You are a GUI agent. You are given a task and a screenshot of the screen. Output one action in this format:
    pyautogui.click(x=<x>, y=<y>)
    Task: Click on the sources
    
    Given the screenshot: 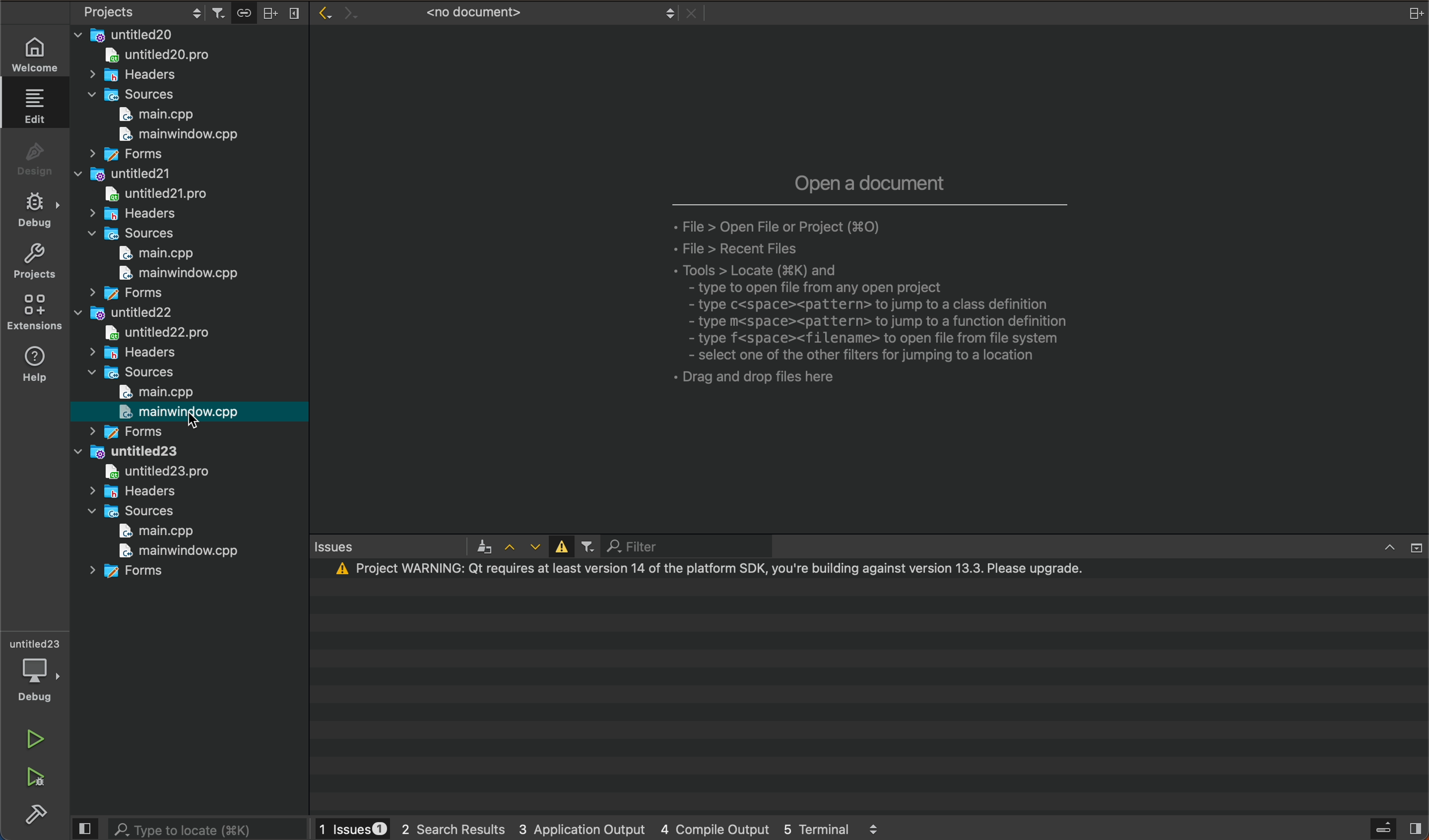 What is the action you would take?
    pyautogui.click(x=135, y=373)
    